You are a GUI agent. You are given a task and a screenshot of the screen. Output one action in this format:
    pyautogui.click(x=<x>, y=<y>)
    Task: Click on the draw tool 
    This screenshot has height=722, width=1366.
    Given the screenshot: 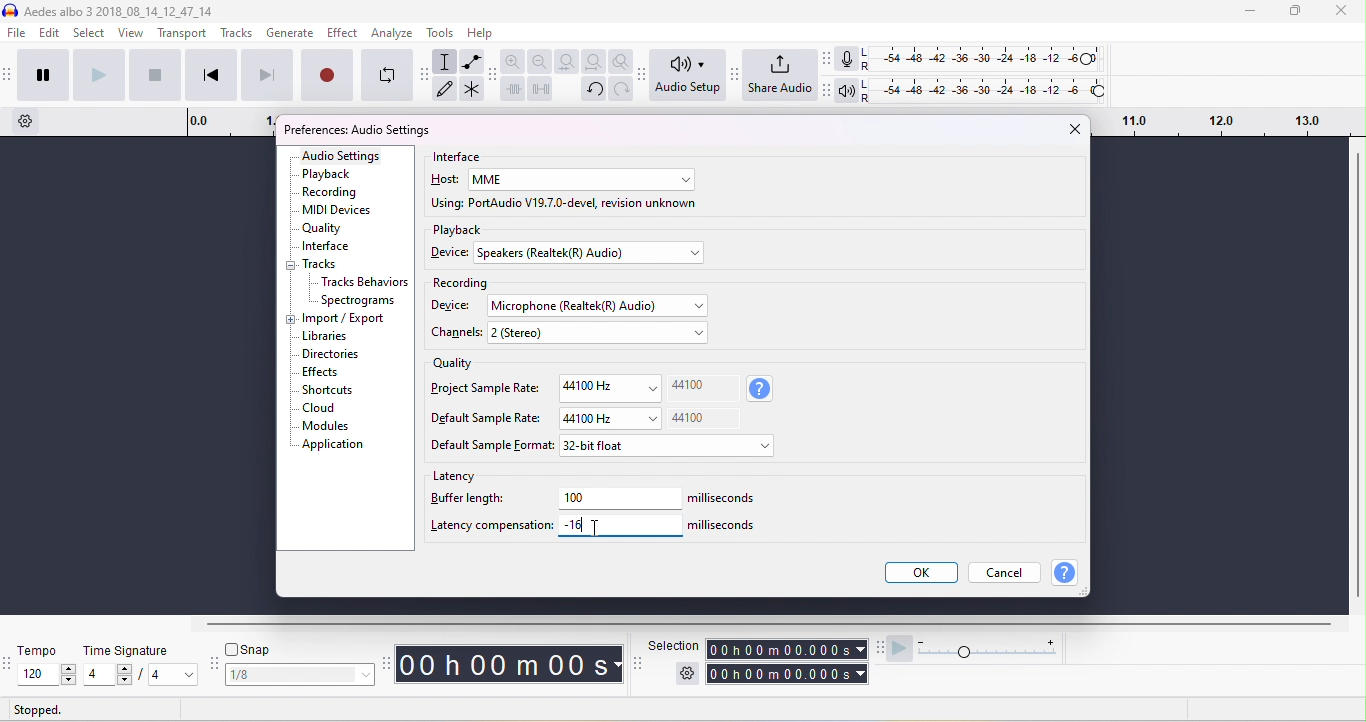 What is the action you would take?
    pyautogui.click(x=445, y=87)
    